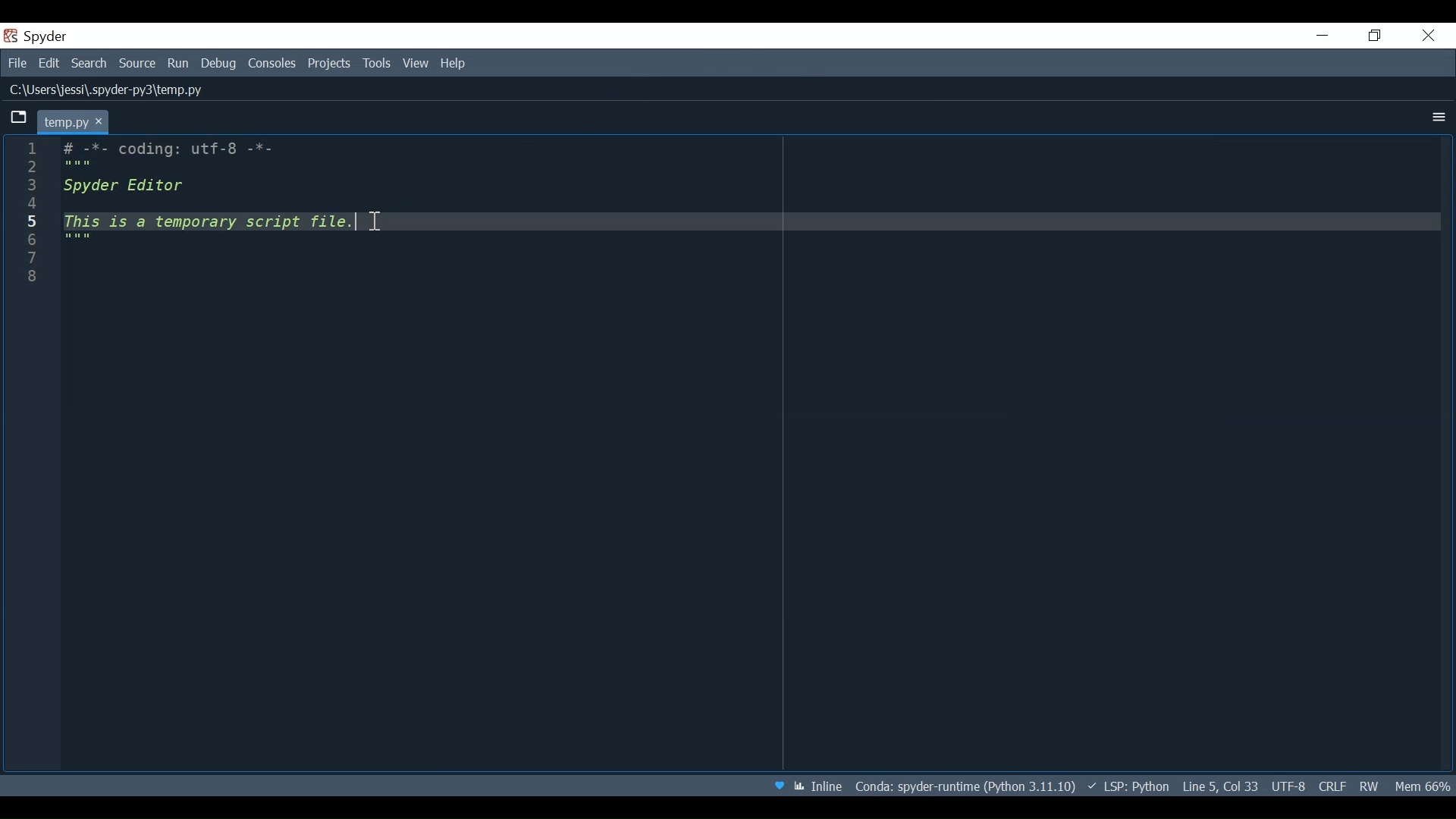  Describe the element at coordinates (1373, 36) in the screenshot. I see `Restore` at that location.